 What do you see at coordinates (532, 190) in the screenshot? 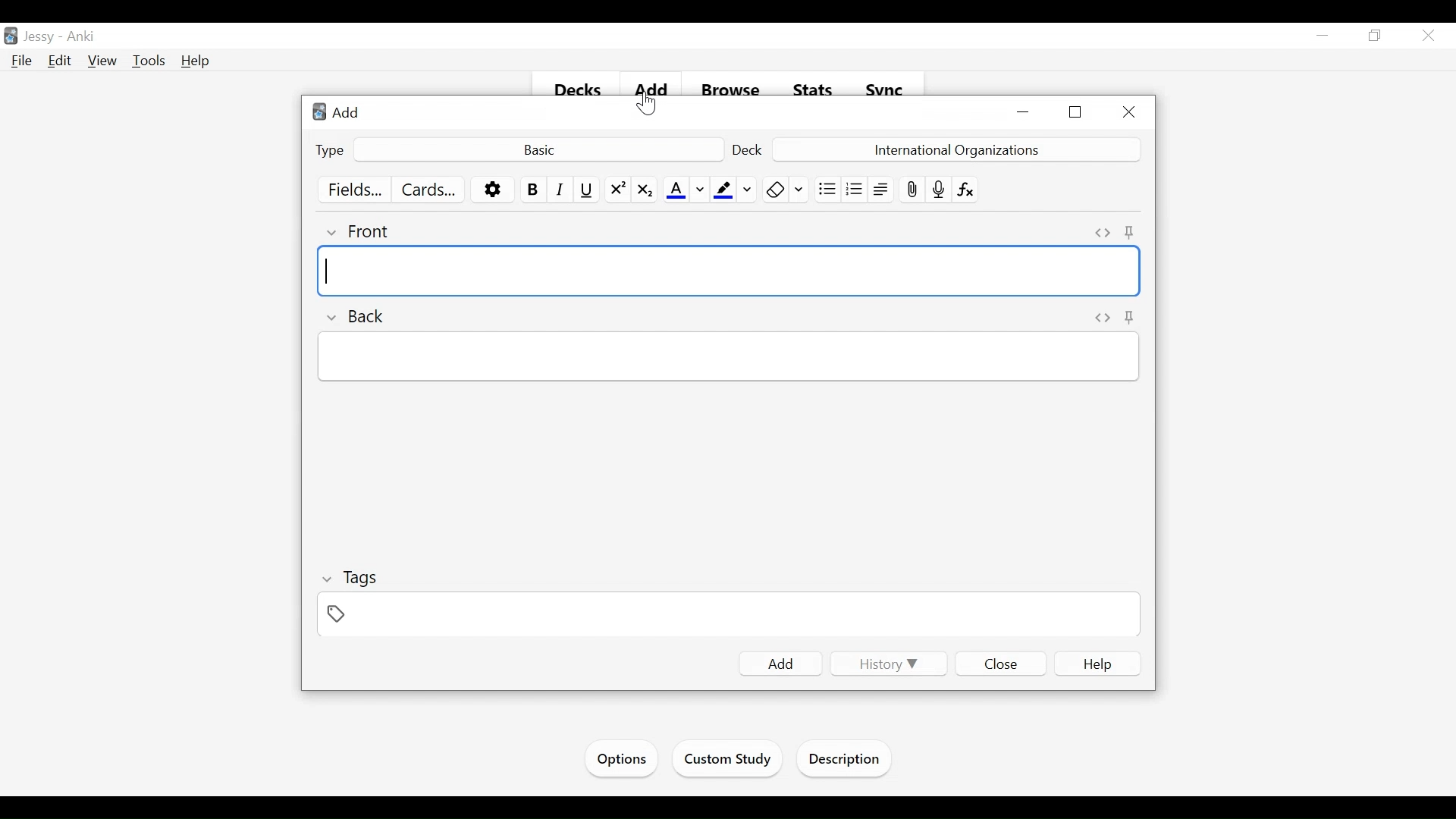
I see `Bold Text` at bounding box center [532, 190].